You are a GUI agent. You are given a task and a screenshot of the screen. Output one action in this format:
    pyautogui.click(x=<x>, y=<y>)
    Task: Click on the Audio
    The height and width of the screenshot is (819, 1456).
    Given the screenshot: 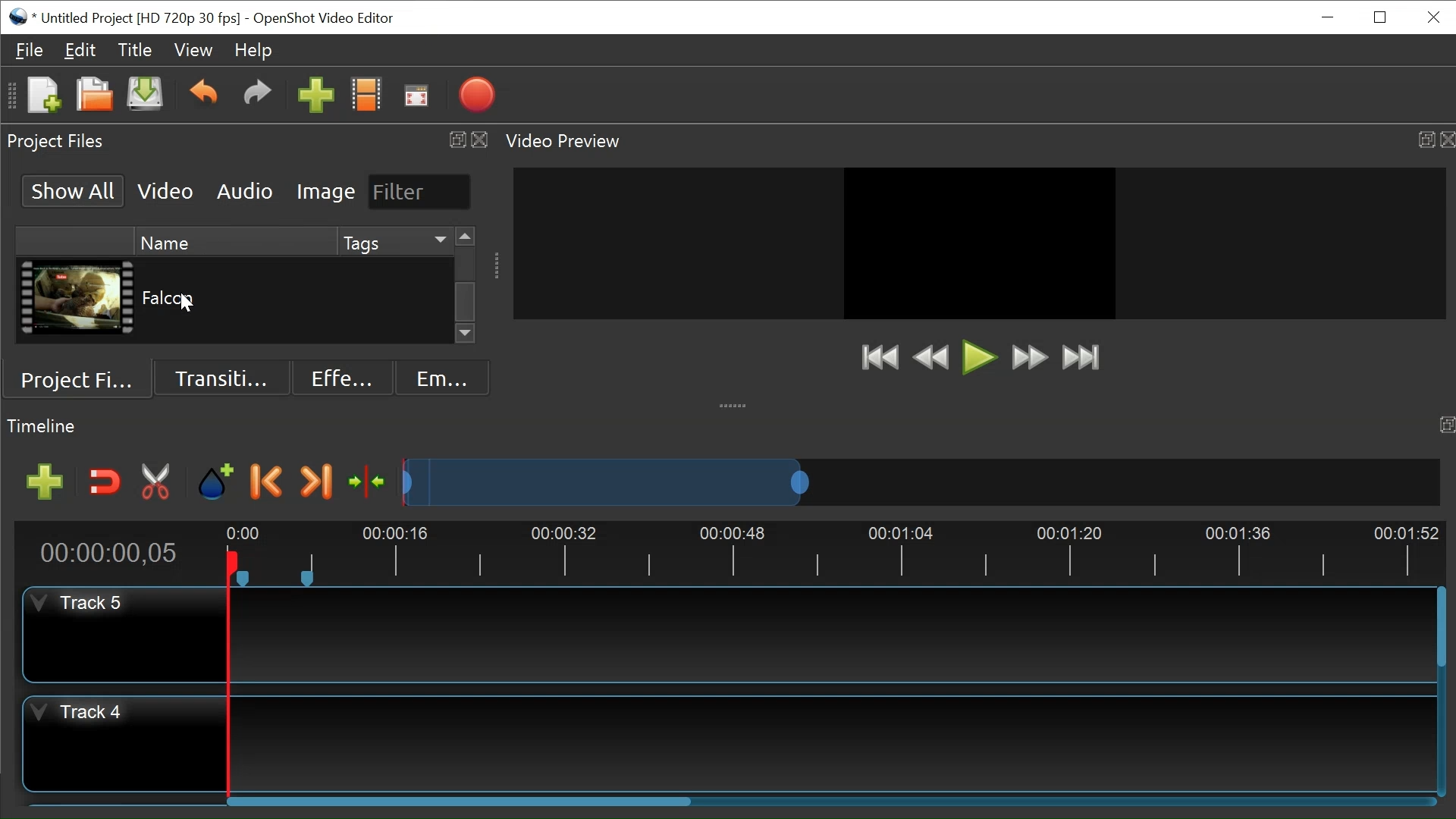 What is the action you would take?
    pyautogui.click(x=243, y=190)
    